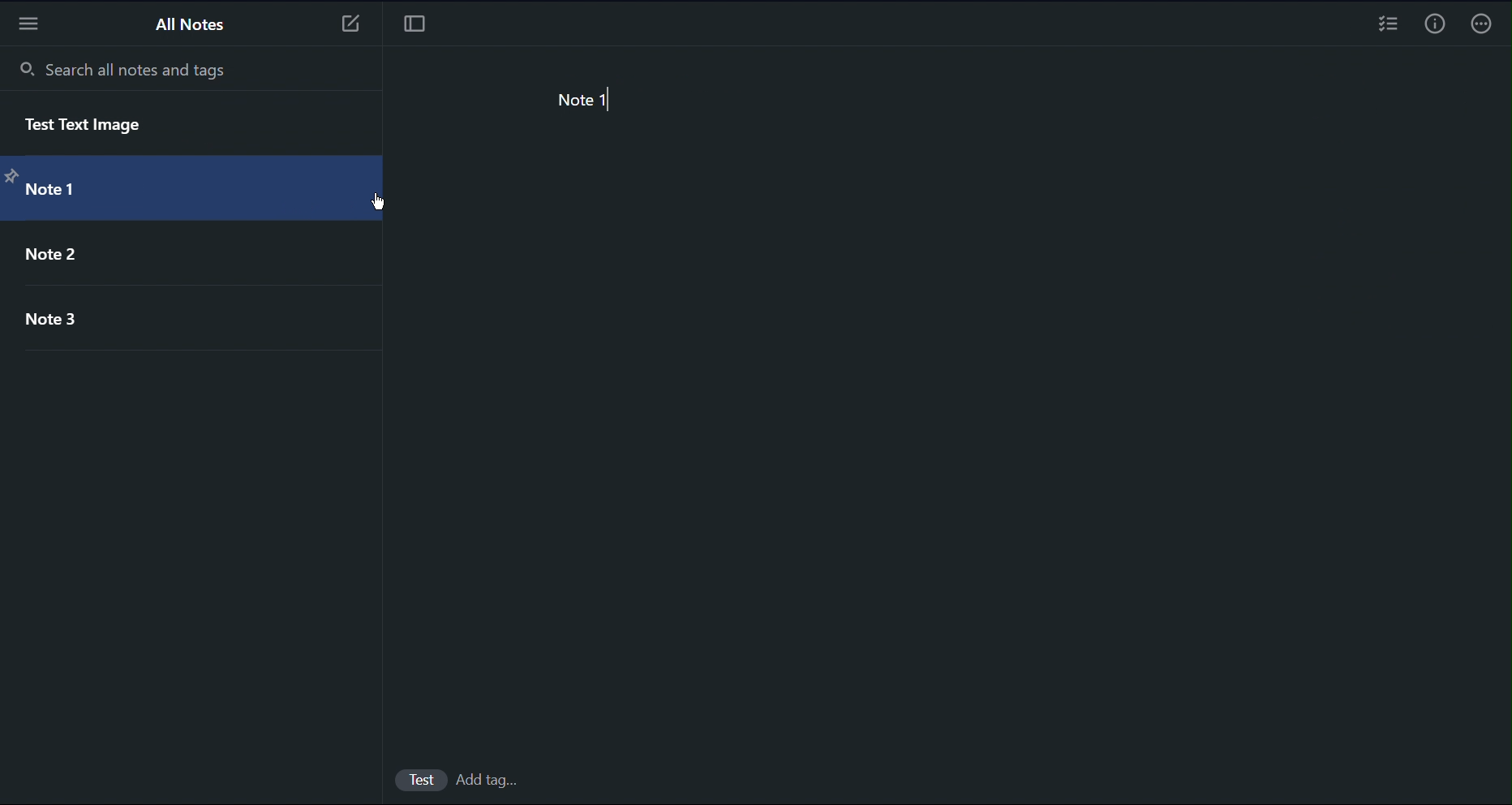  What do you see at coordinates (58, 255) in the screenshot?
I see `Note 2` at bounding box center [58, 255].